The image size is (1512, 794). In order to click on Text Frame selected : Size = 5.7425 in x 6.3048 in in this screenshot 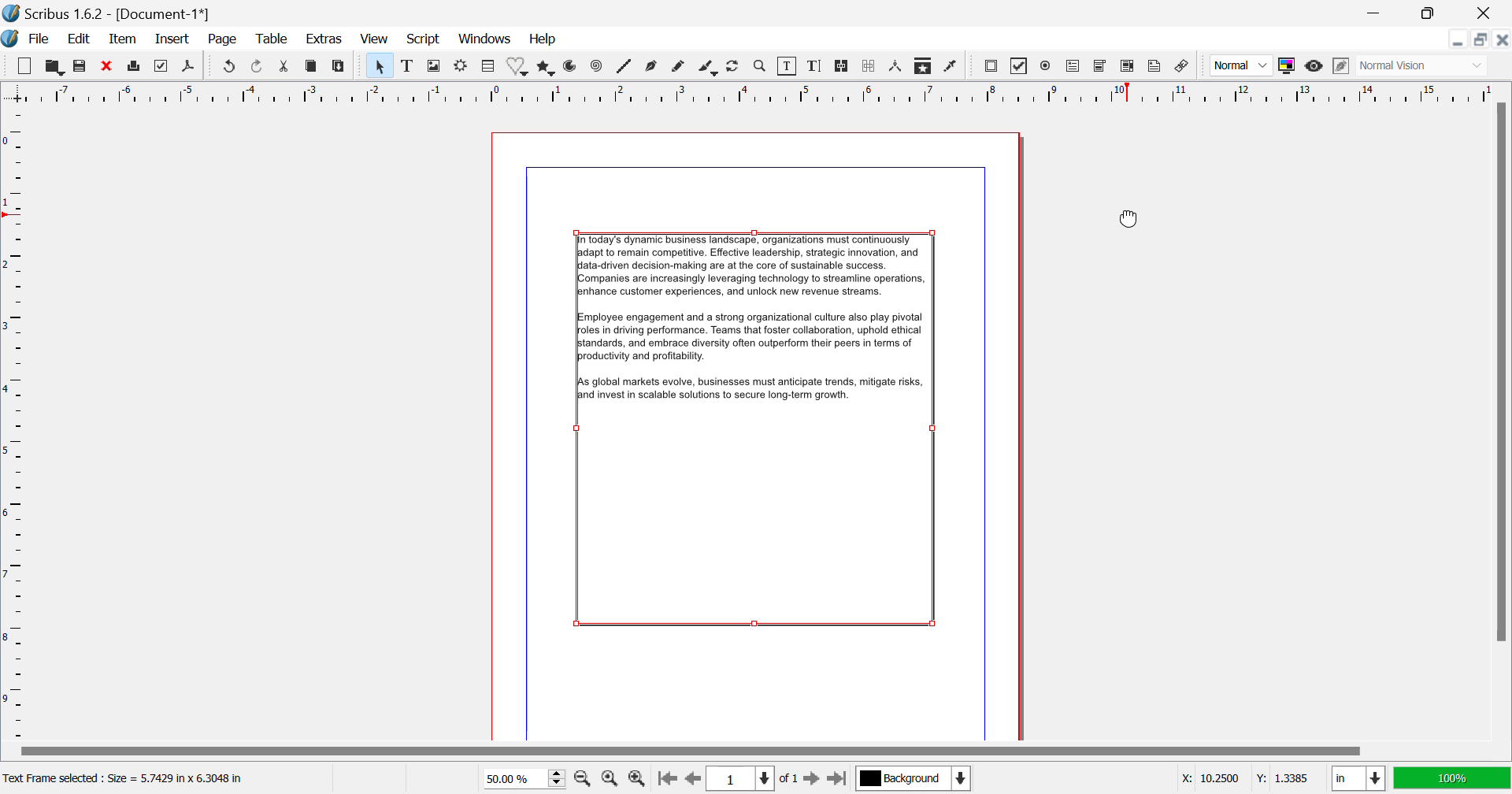, I will do `click(128, 780)`.